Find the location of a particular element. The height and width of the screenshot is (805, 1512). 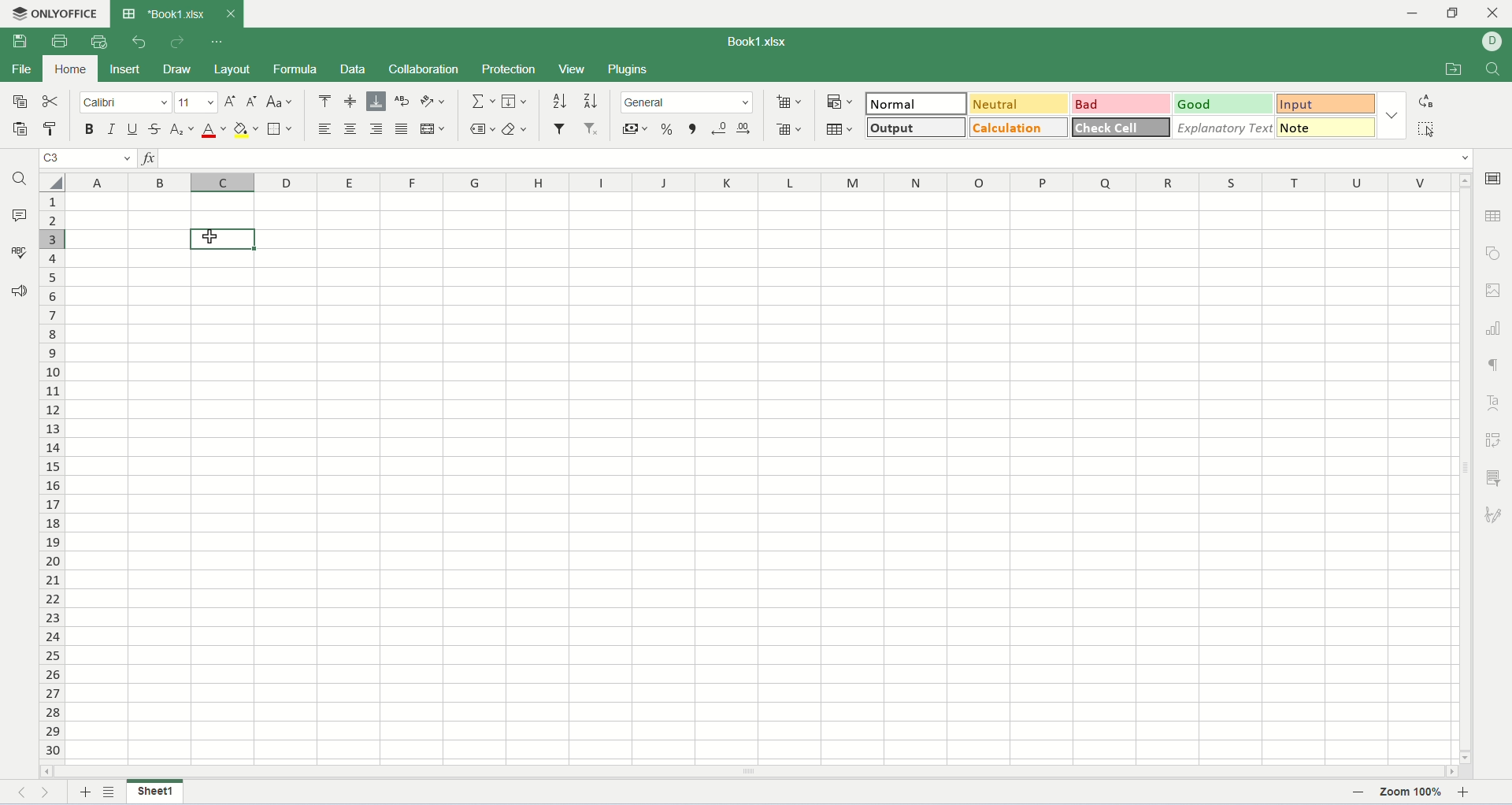

text art settings is located at coordinates (1495, 402).